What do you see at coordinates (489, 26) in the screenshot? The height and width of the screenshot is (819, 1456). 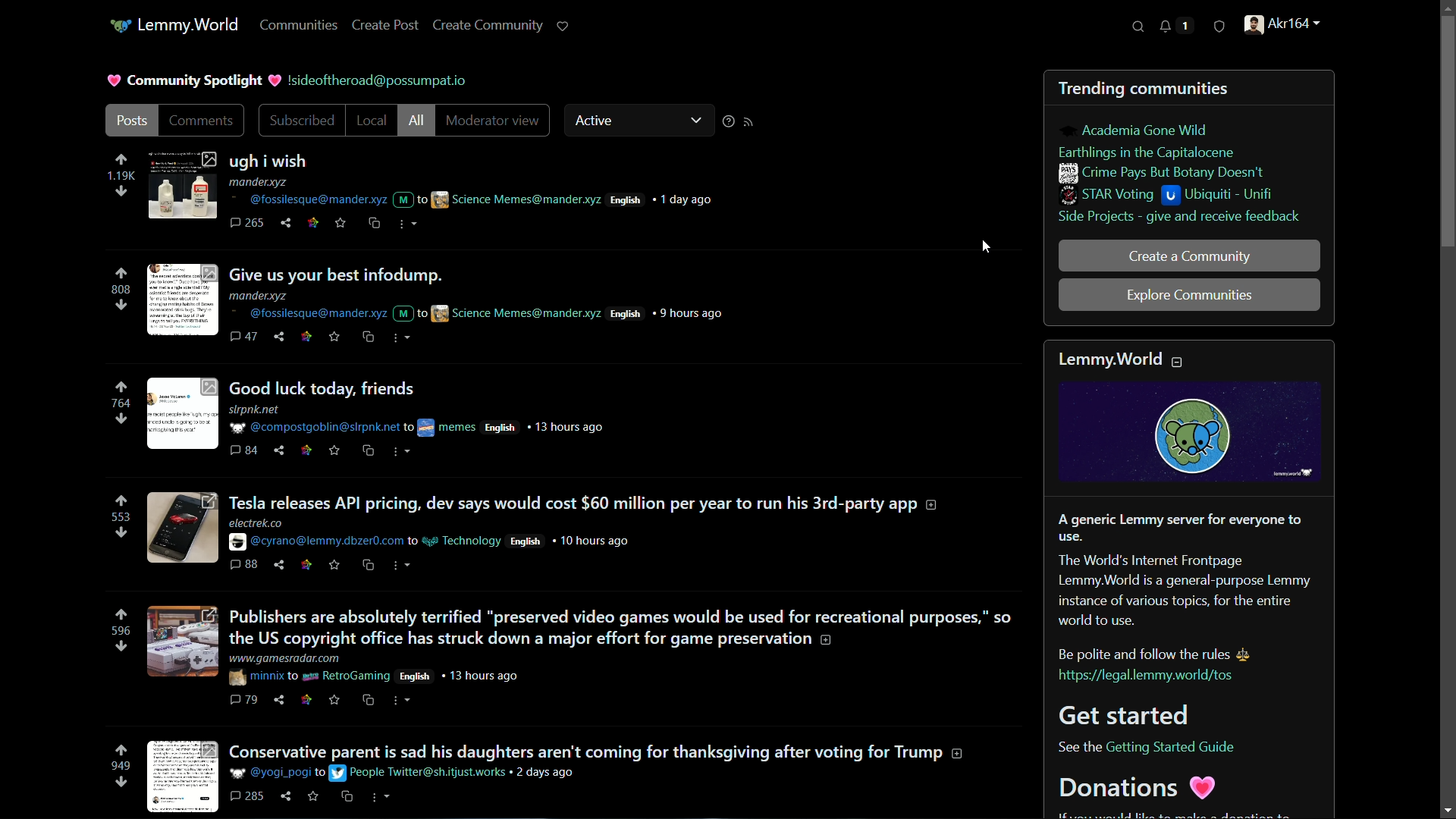 I see `create community` at bounding box center [489, 26].